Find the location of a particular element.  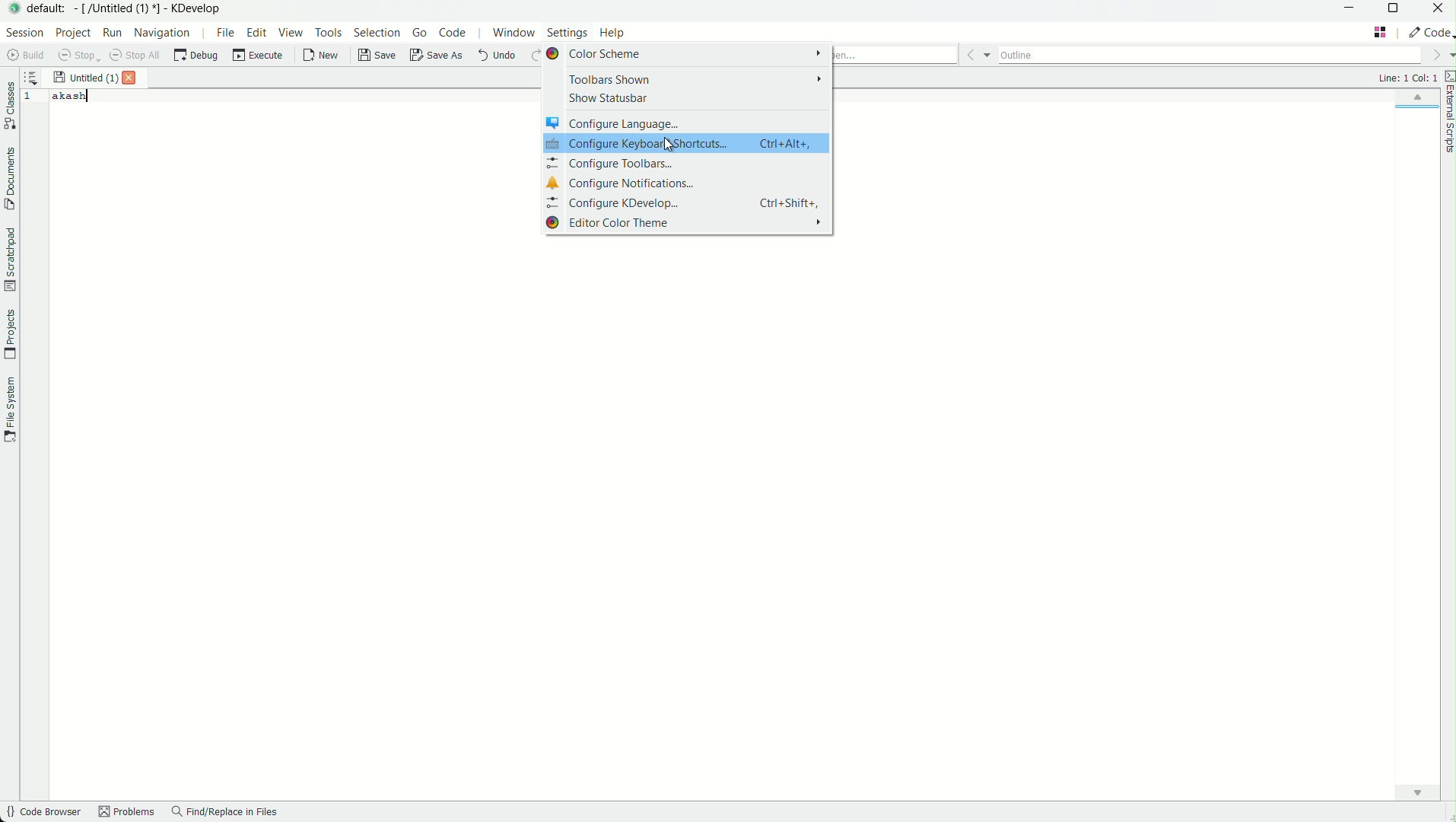

code menu is located at coordinates (453, 33).